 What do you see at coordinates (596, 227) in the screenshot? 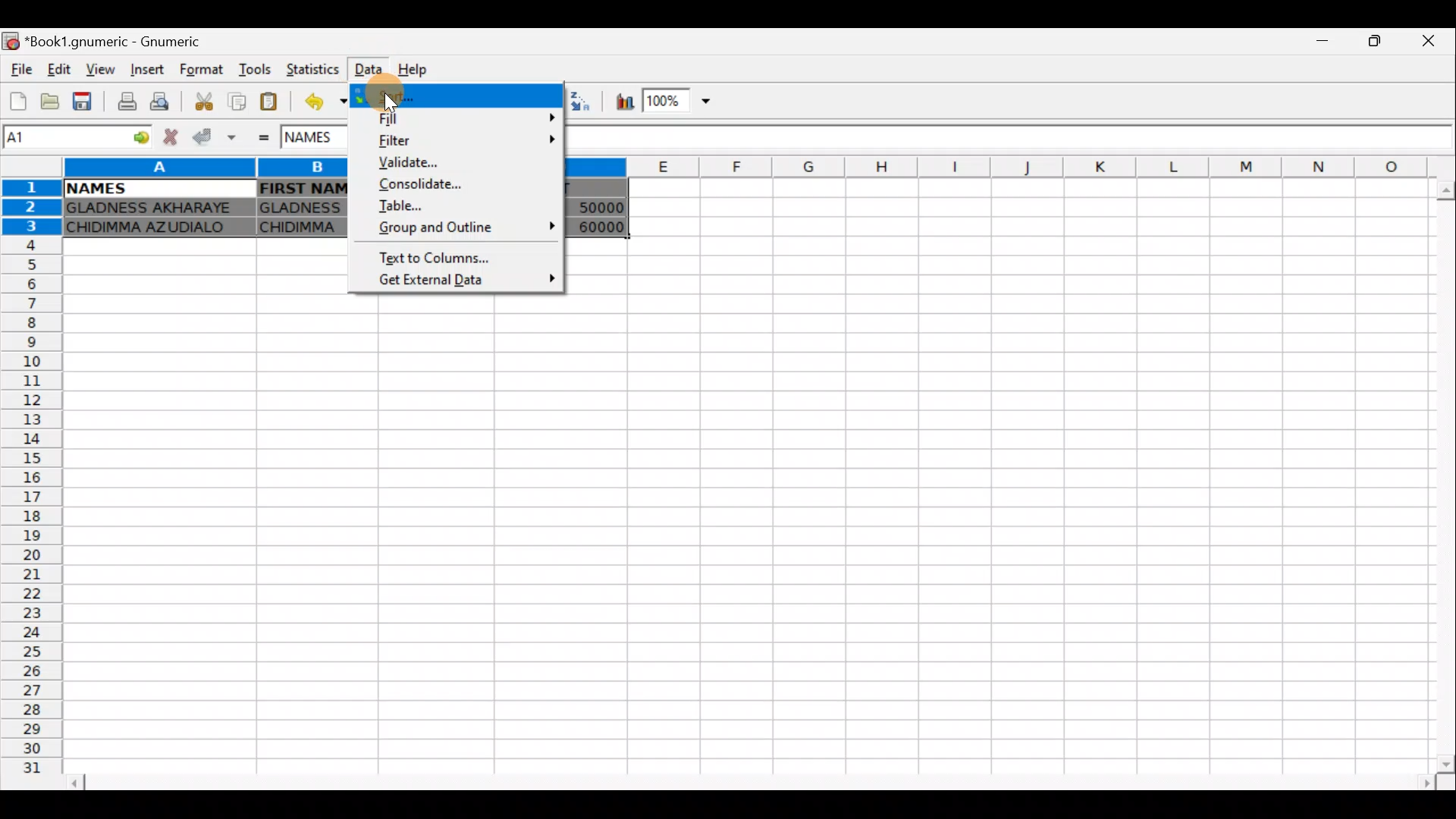
I see `60000` at bounding box center [596, 227].